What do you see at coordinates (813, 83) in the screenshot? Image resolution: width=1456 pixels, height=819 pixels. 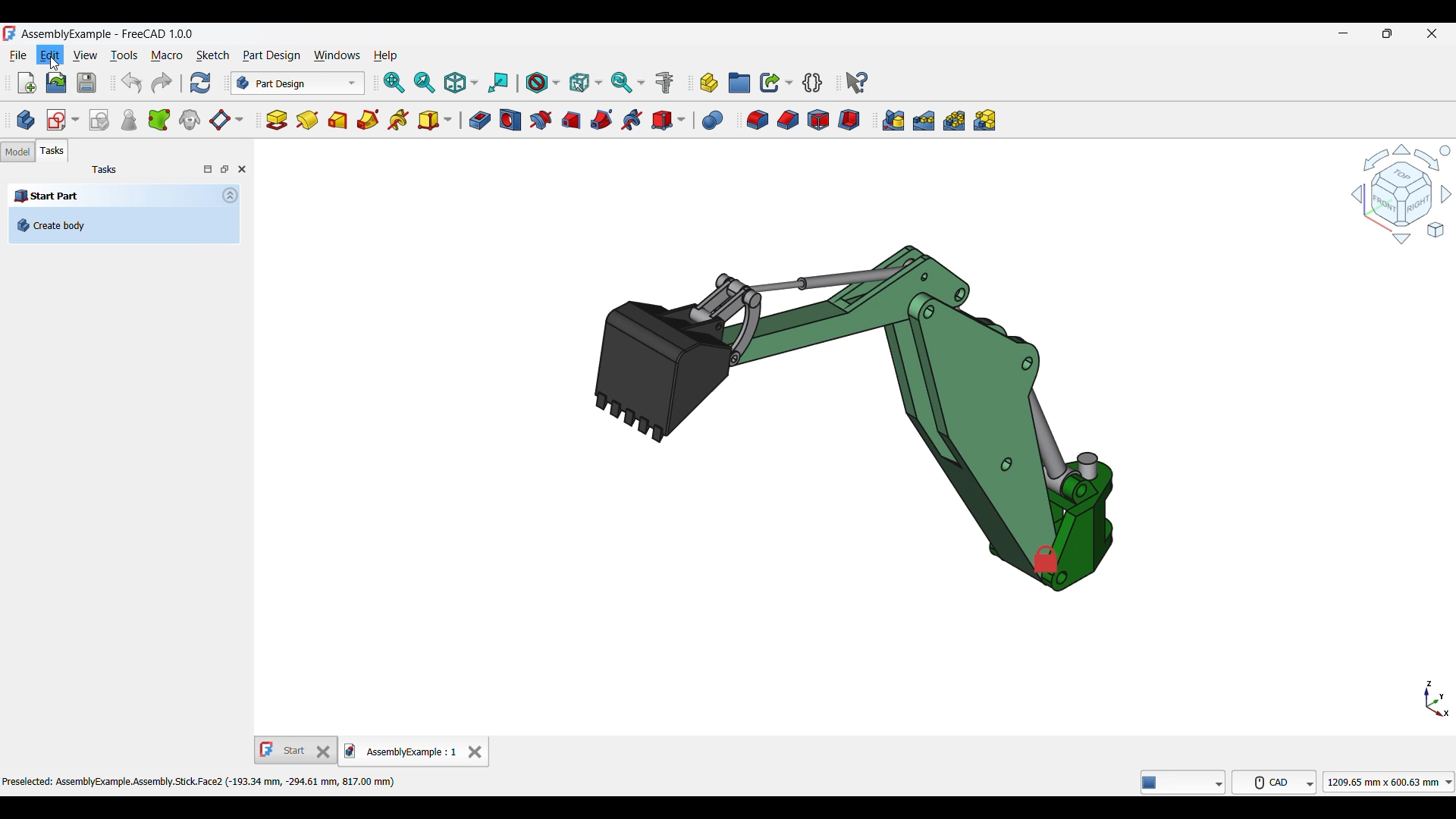 I see `Create a variable set` at bounding box center [813, 83].